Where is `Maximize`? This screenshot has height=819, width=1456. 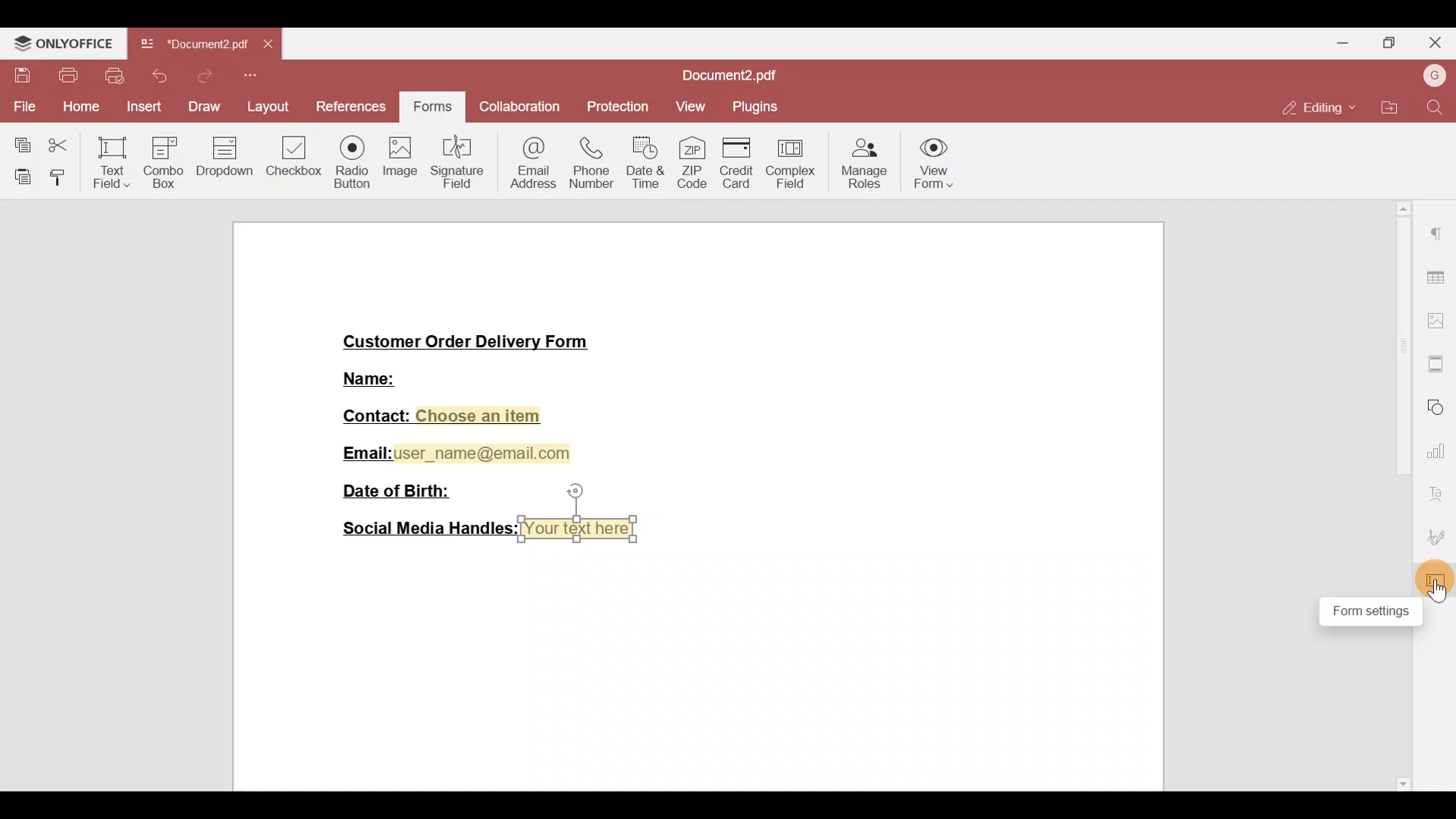
Maximize is located at coordinates (1395, 42).